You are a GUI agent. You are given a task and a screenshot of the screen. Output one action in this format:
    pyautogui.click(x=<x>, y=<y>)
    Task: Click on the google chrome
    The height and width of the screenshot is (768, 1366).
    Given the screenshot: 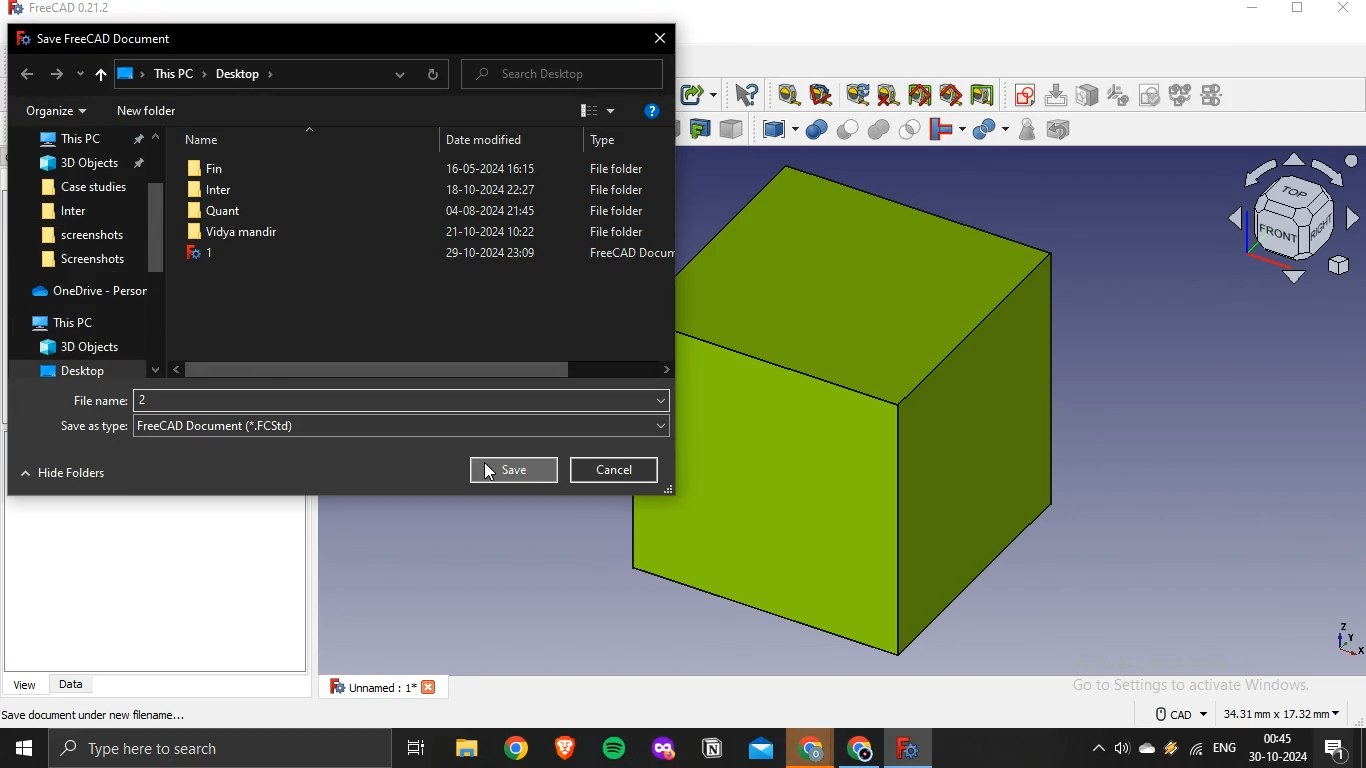 What is the action you would take?
    pyautogui.click(x=516, y=748)
    